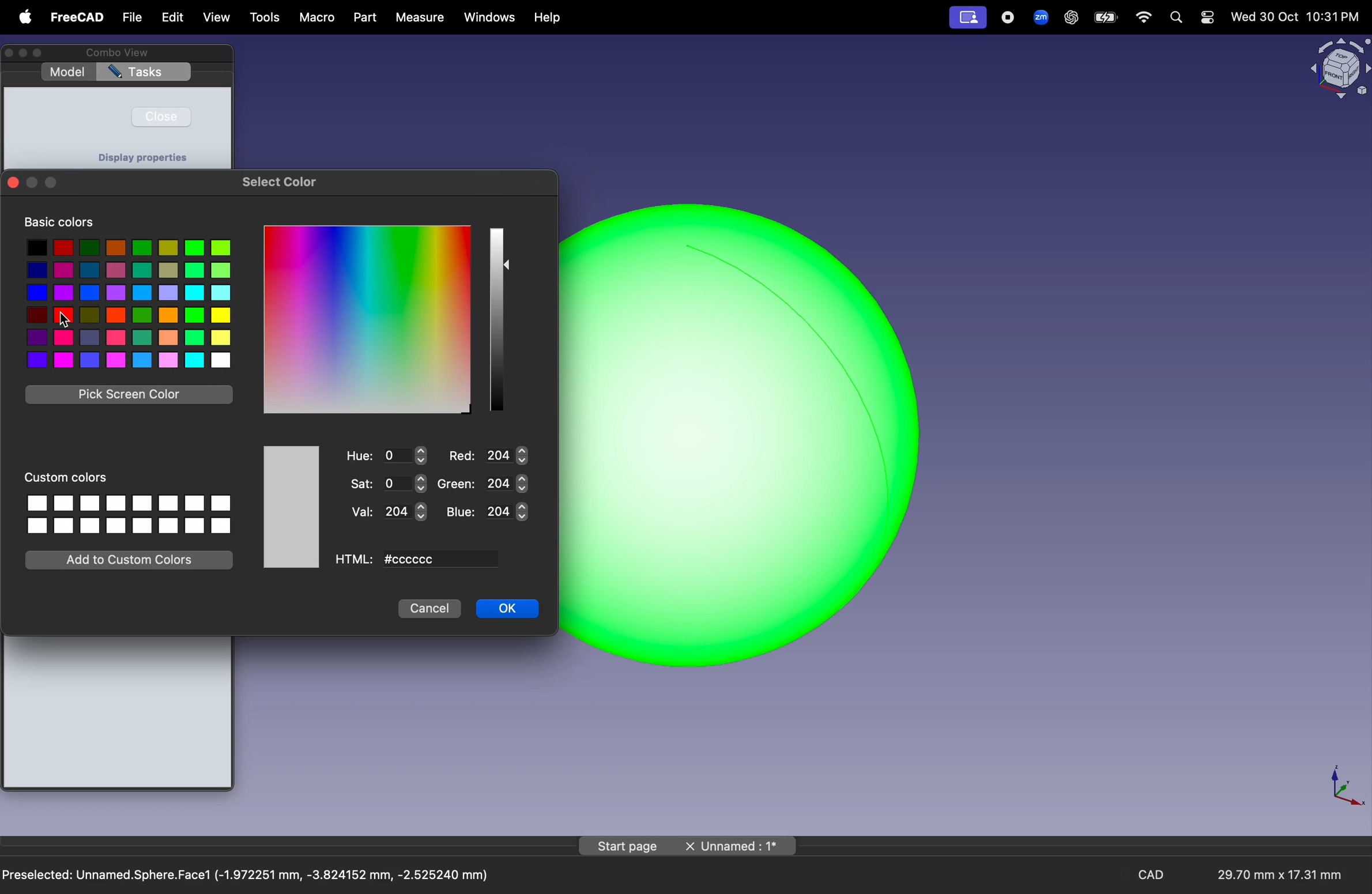  What do you see at coordinates (133, 559) in the screenshot?
I see `add custom color` at bounding box center [133, 559].